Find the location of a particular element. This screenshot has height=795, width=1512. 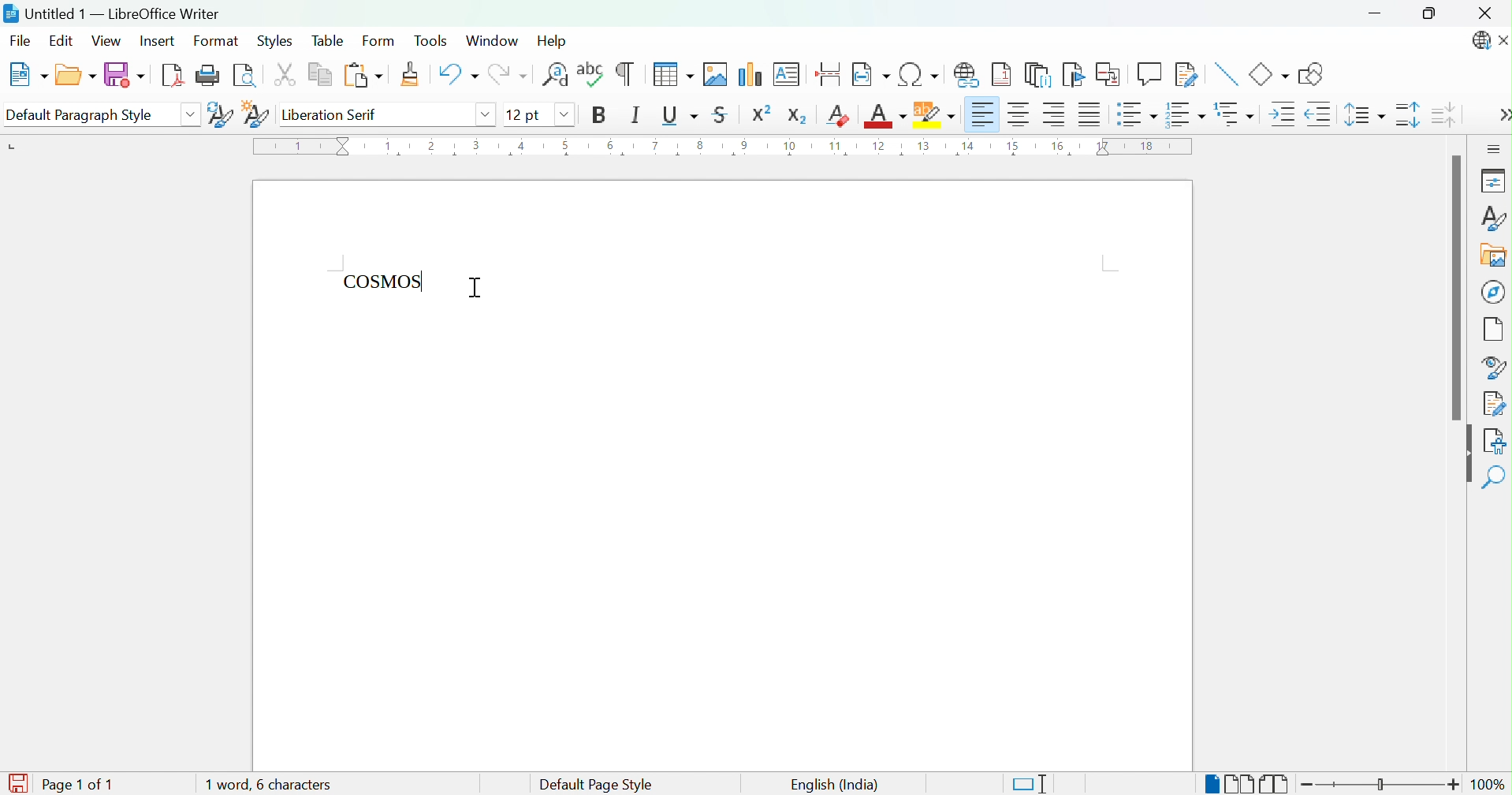

Multiple-page view is located at coordinates (1241, 784).